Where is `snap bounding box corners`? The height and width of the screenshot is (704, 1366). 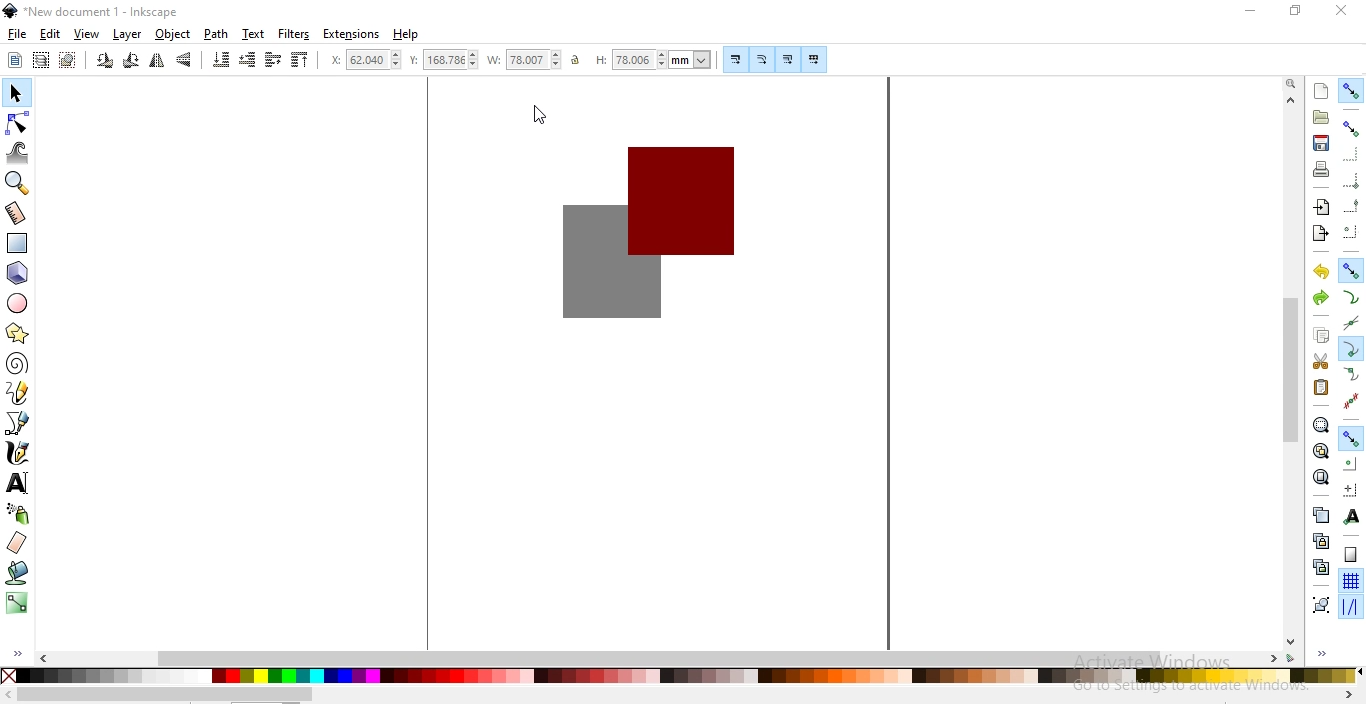 snap bounding box corners is located at coordinates (1352, 178).